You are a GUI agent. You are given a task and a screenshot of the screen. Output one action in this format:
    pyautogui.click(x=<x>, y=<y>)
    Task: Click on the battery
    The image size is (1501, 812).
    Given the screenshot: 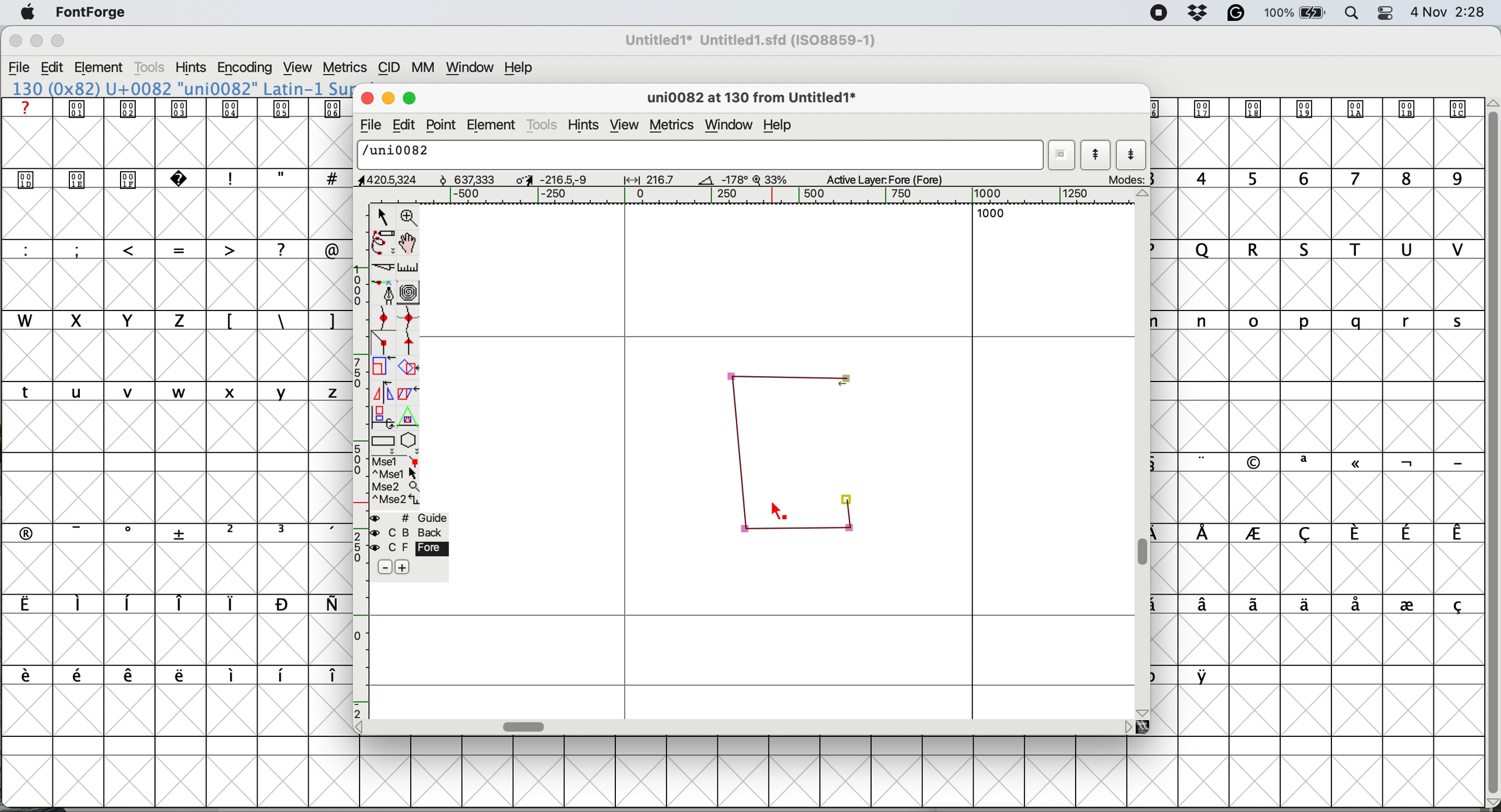 What is the action you would take?
    pyautogui.click(x=1294, y=13)
    